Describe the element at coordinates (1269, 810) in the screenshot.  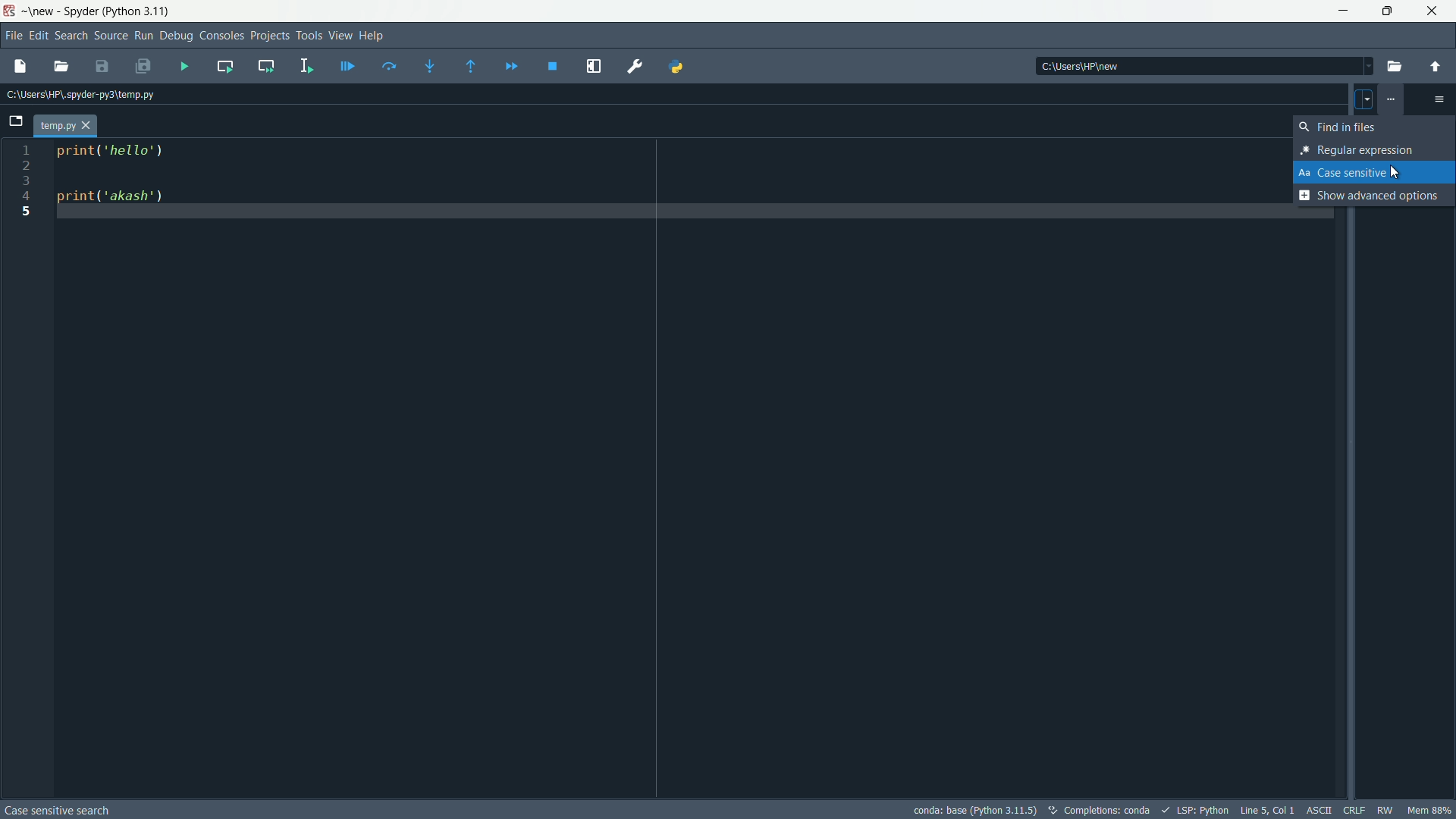
I see `line 5, col1` at that location.